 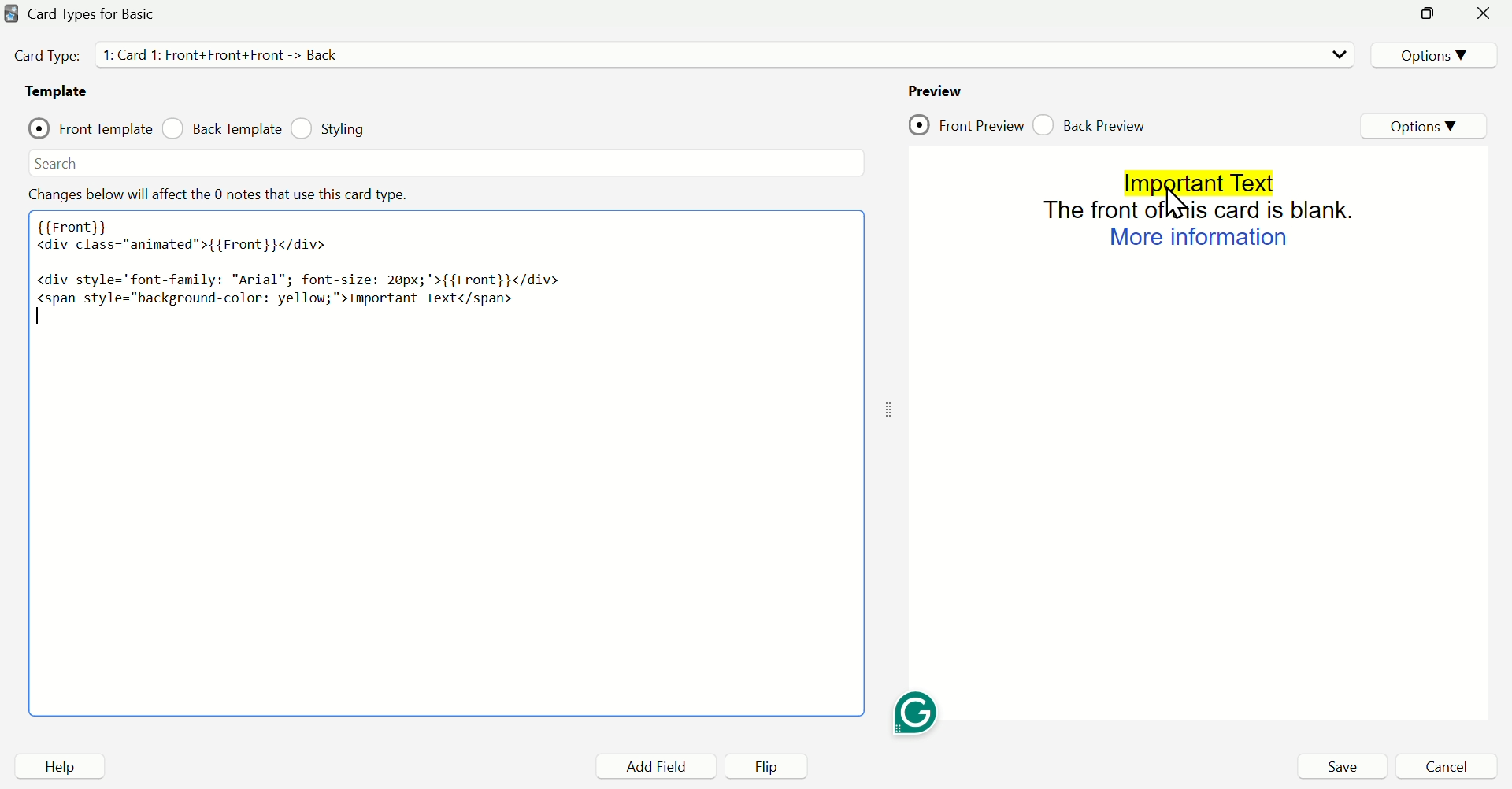 I want to click on Anki Desktop icon, so click(x=12, y=13).